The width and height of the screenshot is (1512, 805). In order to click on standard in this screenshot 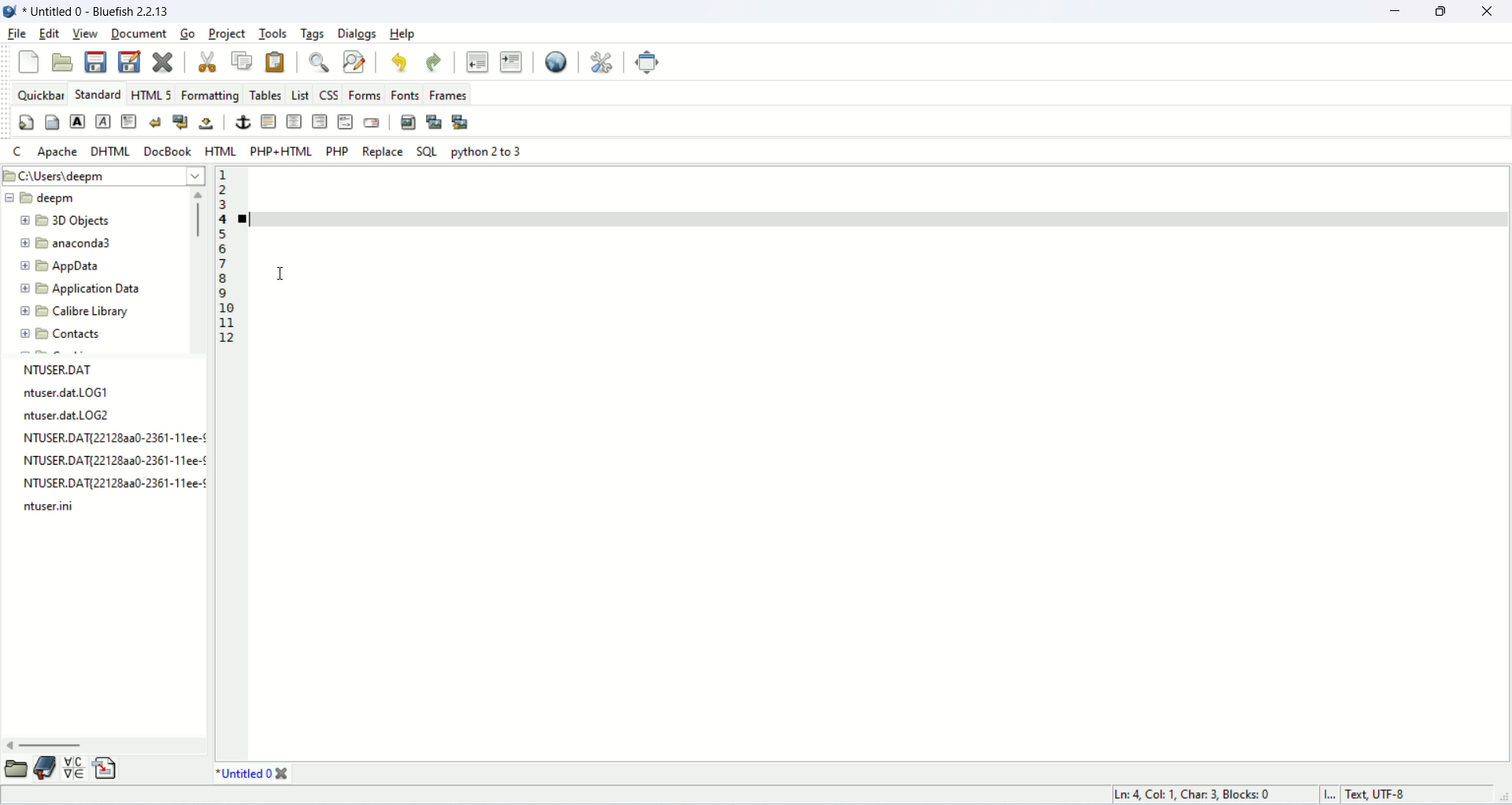, I will do `click(97, 95)`.